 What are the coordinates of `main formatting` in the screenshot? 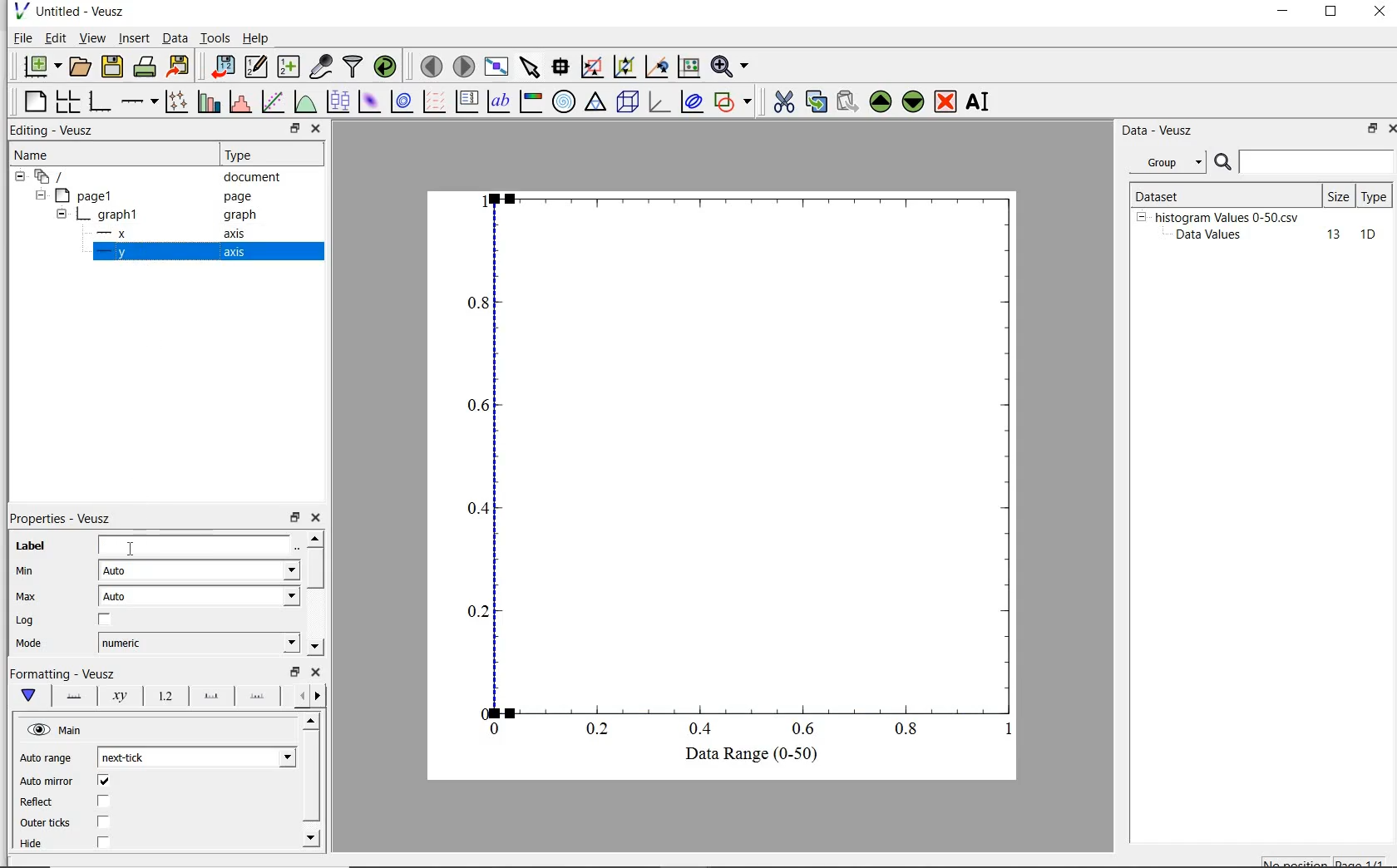 It's located at (31, 696).